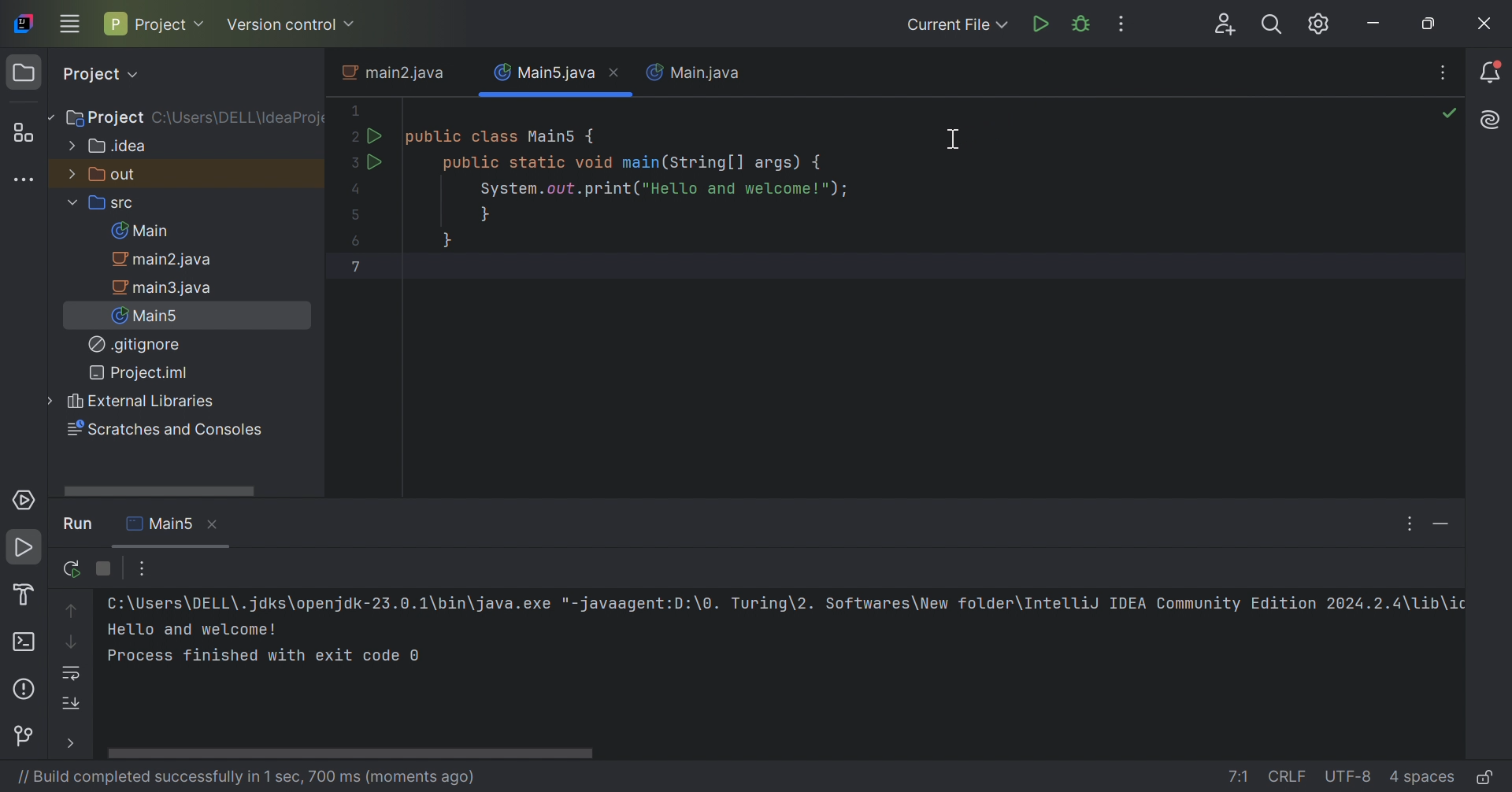 The height and width of the screenshot is (792, 1512). I want to click on Scroll to End, so click(72, 702).